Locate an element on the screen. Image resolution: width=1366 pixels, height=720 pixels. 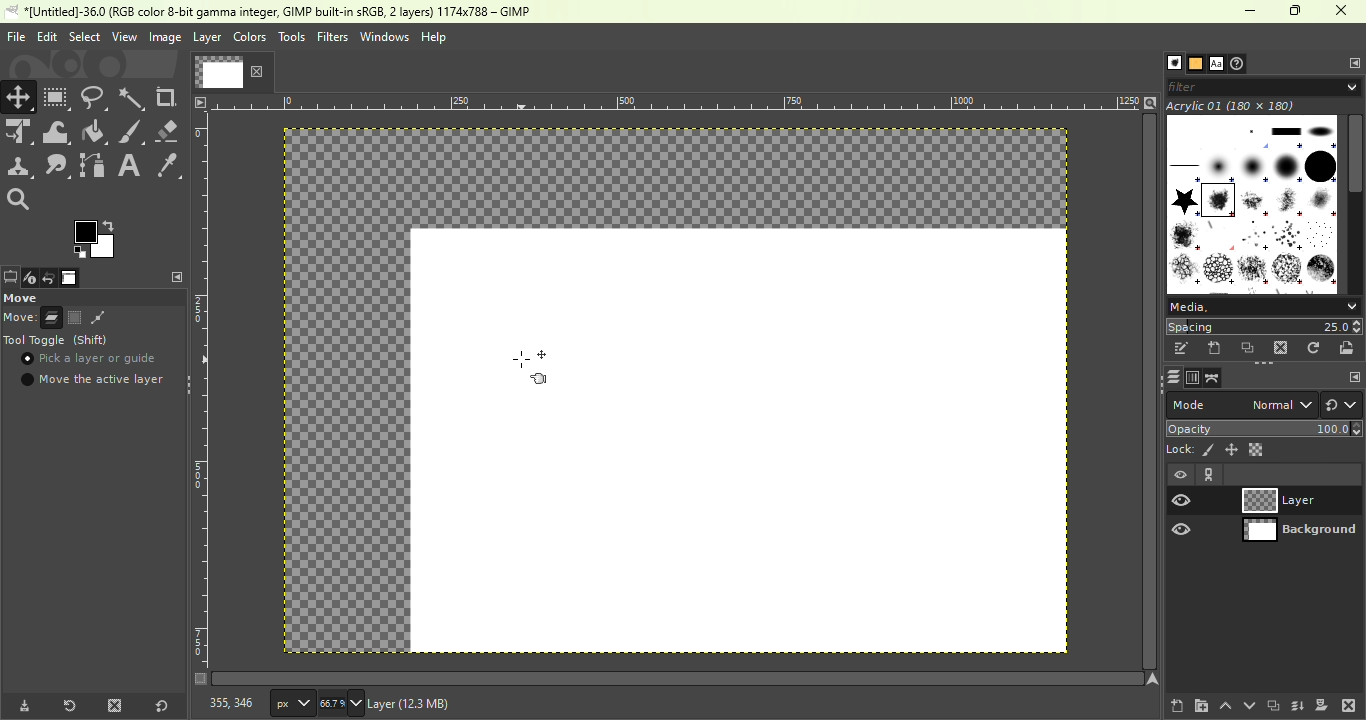
Horizontal scrollbar is located at coordinates (1150, 392).